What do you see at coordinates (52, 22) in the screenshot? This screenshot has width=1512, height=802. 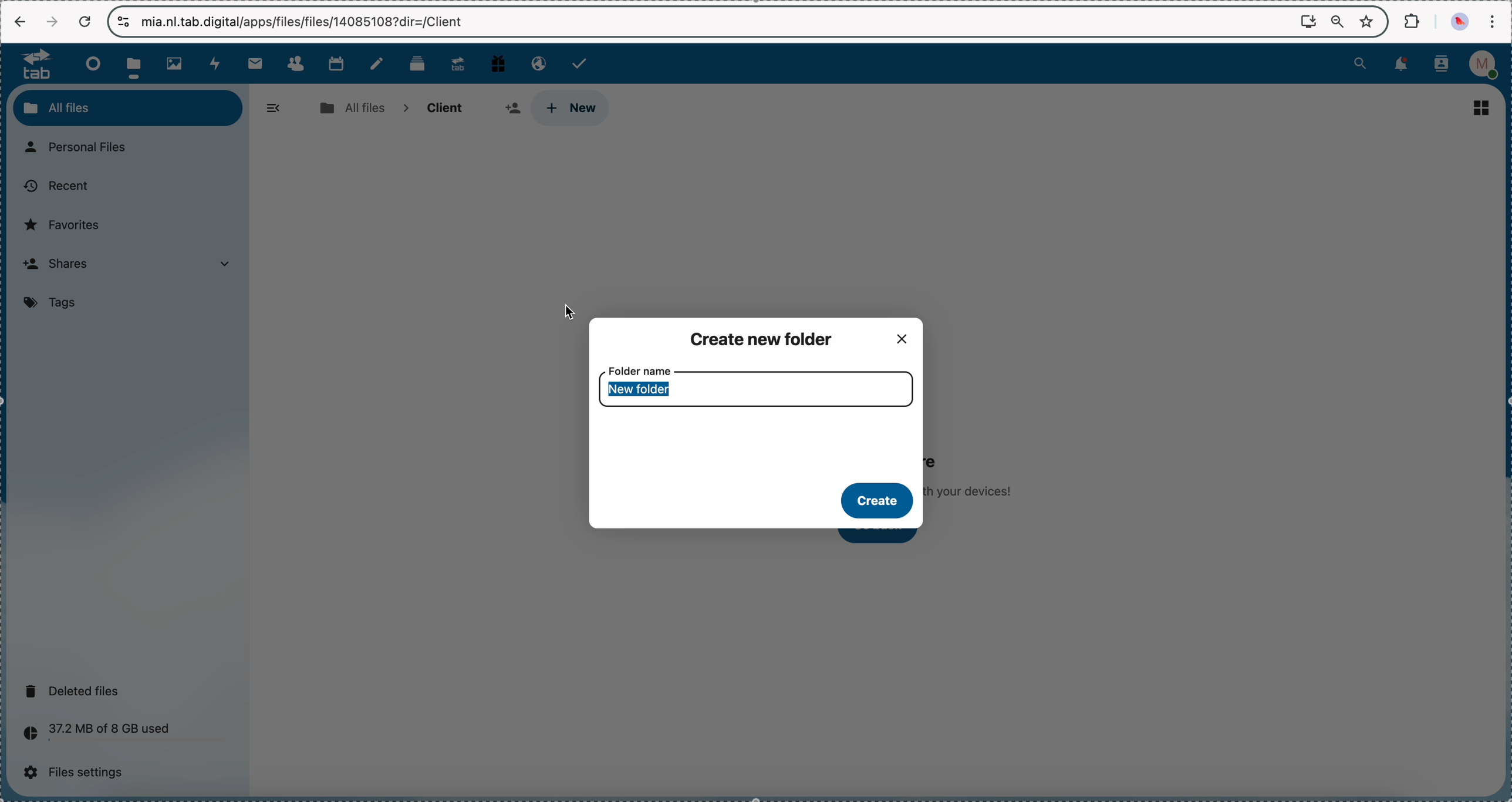 I see `navigate foward` at bounding box center [52, 22].